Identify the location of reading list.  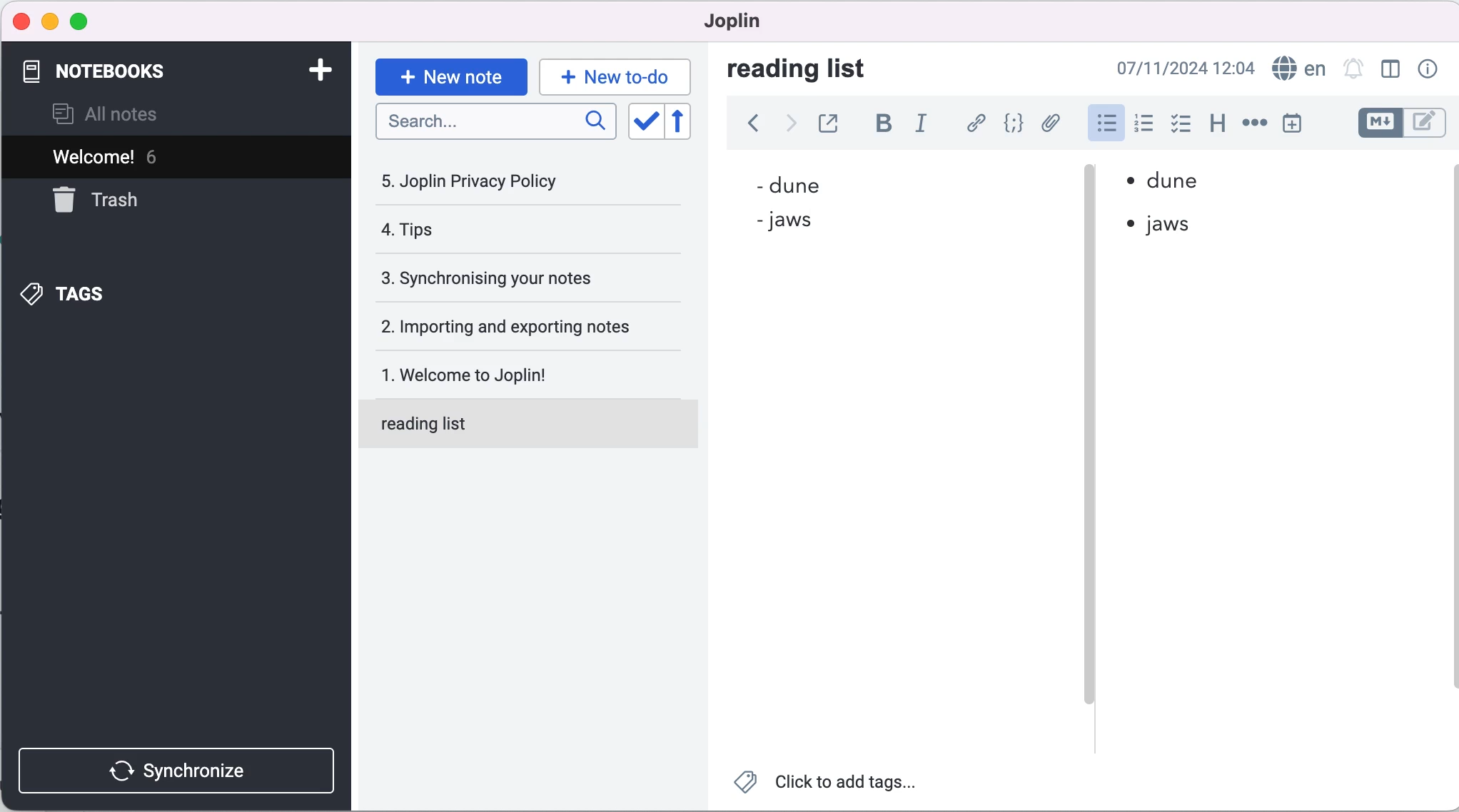
(814, 70).